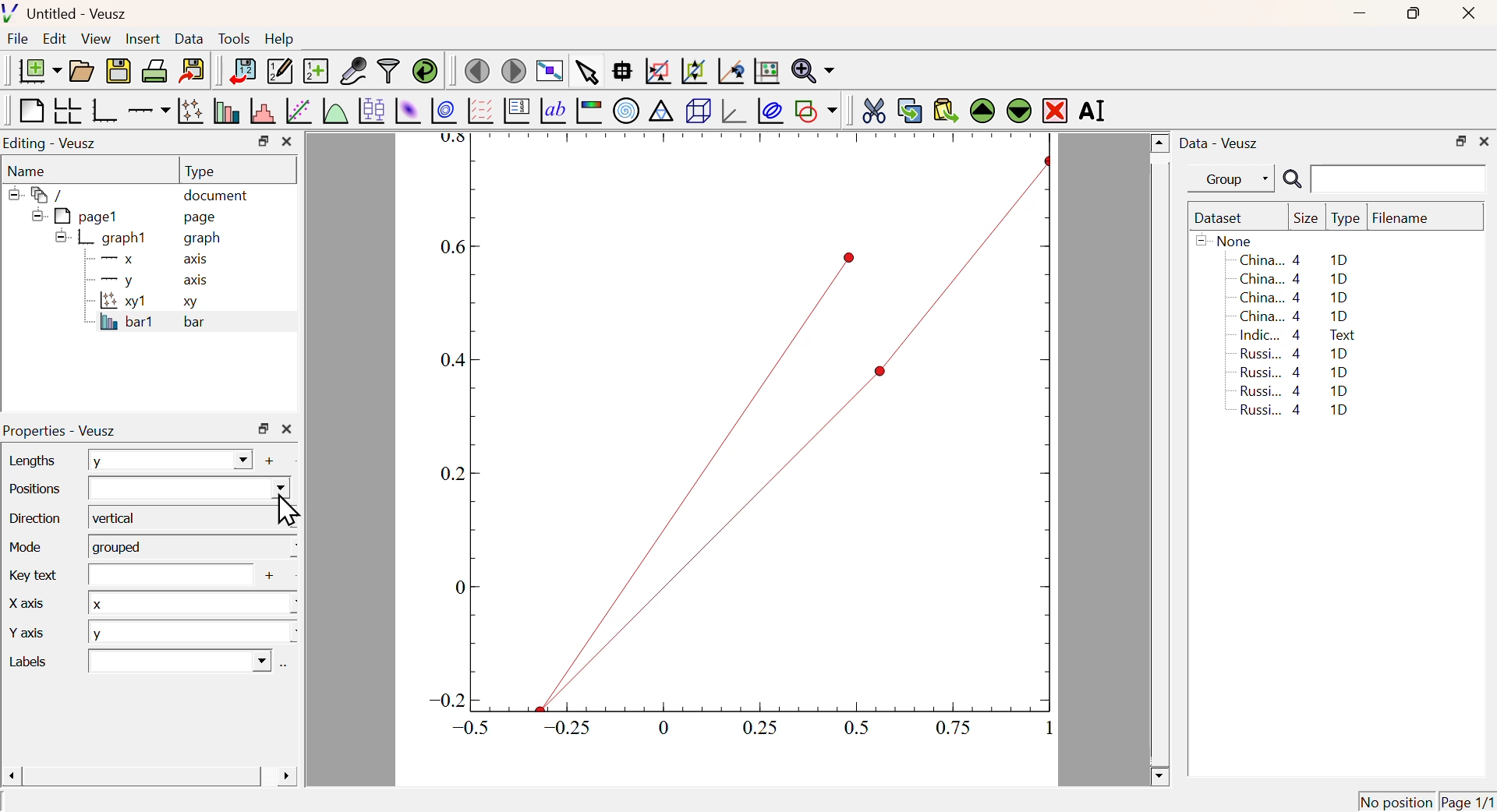 The height and width of the screenshot is (812, 1497). I want to click on Add an axis to a plot, so click(148, 112).